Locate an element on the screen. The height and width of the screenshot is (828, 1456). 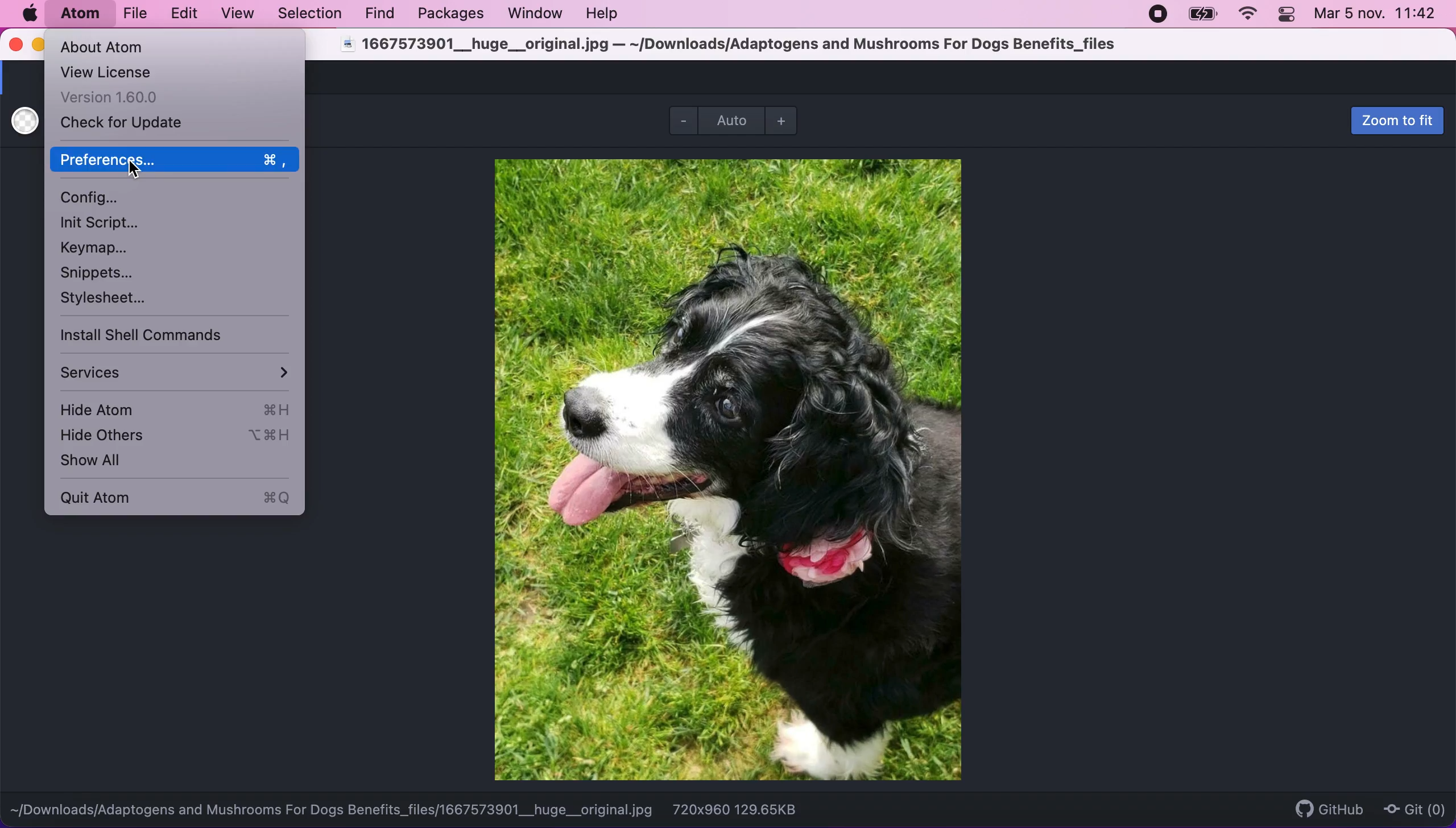
install shell commands is located at coordinates (165, 337).